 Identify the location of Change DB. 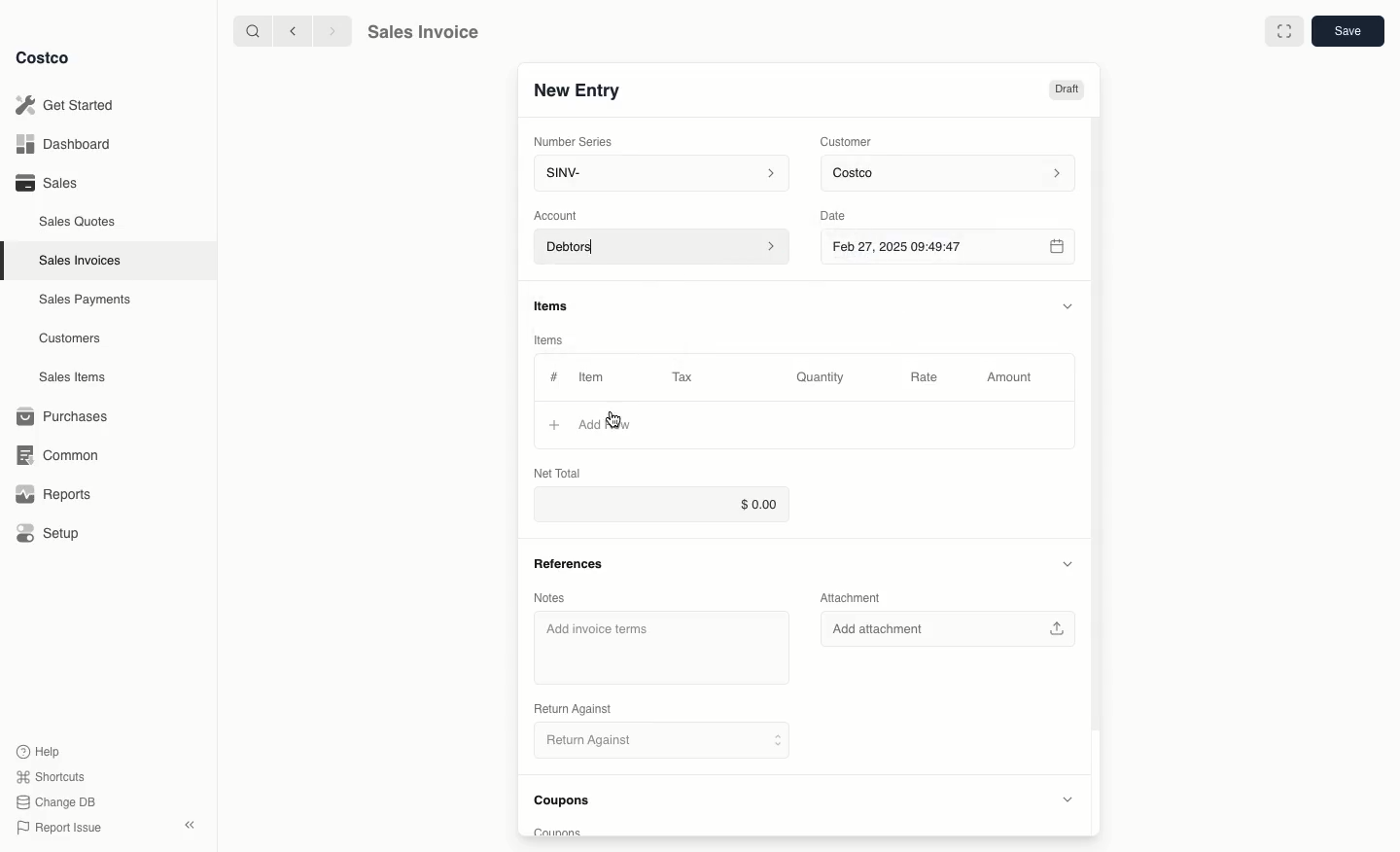
(58, 799).